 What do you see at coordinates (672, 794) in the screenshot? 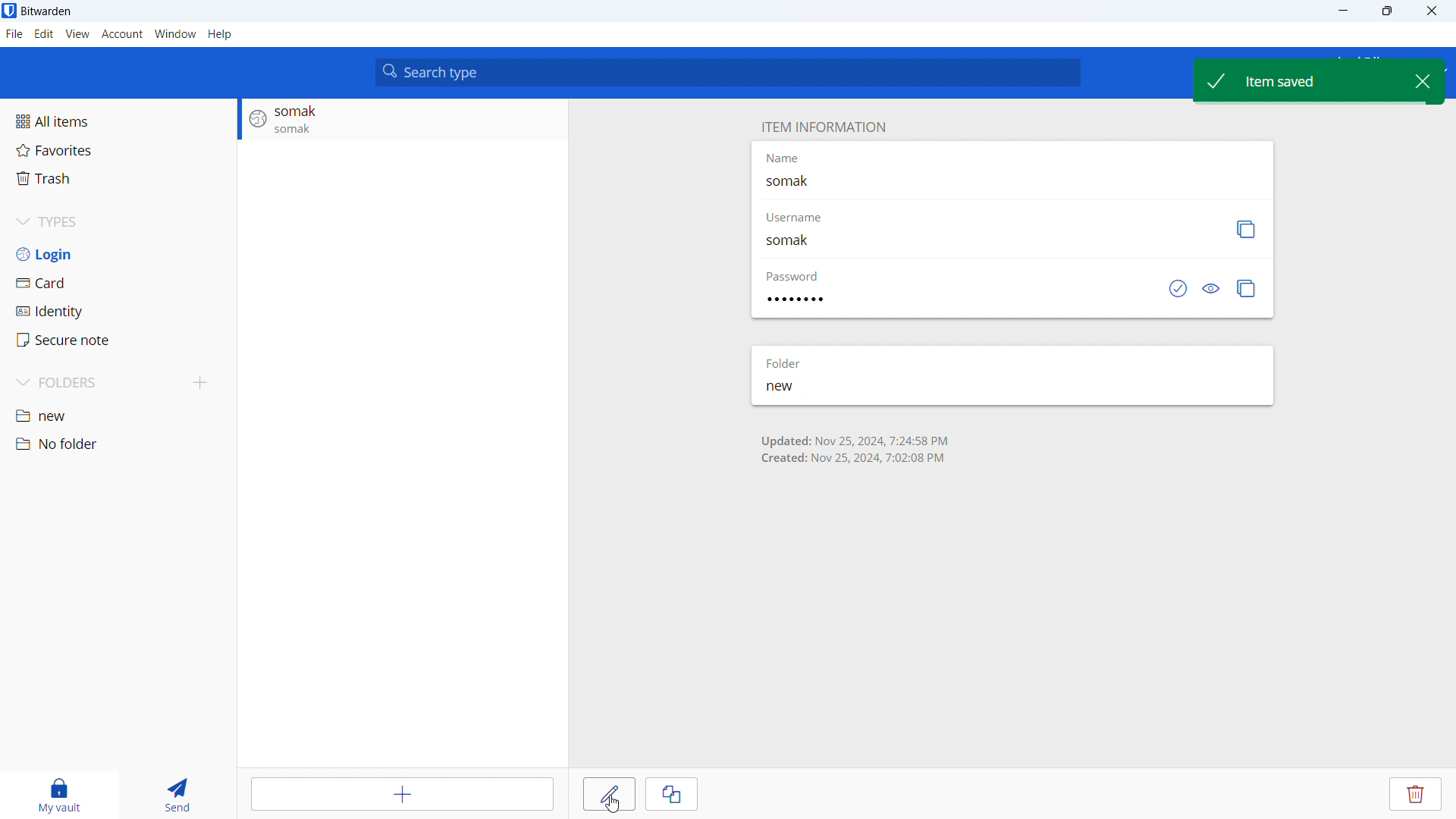
I see `clone` at bounding box center [672, 794].